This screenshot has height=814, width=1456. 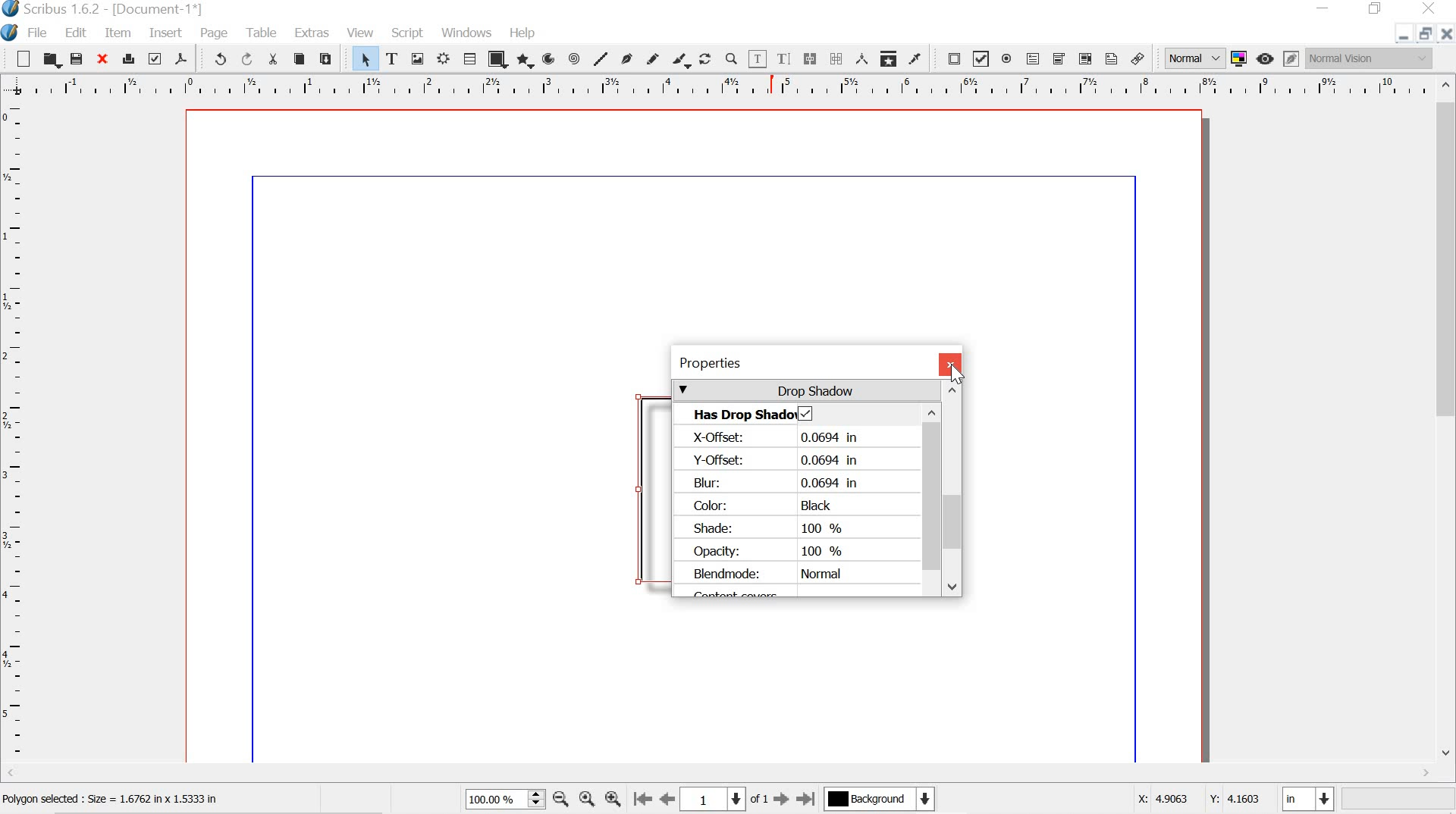 What do you see at coordinates (766, 506) in the screenshot?
I see `Color: Black` at bounding box center [766, 506].